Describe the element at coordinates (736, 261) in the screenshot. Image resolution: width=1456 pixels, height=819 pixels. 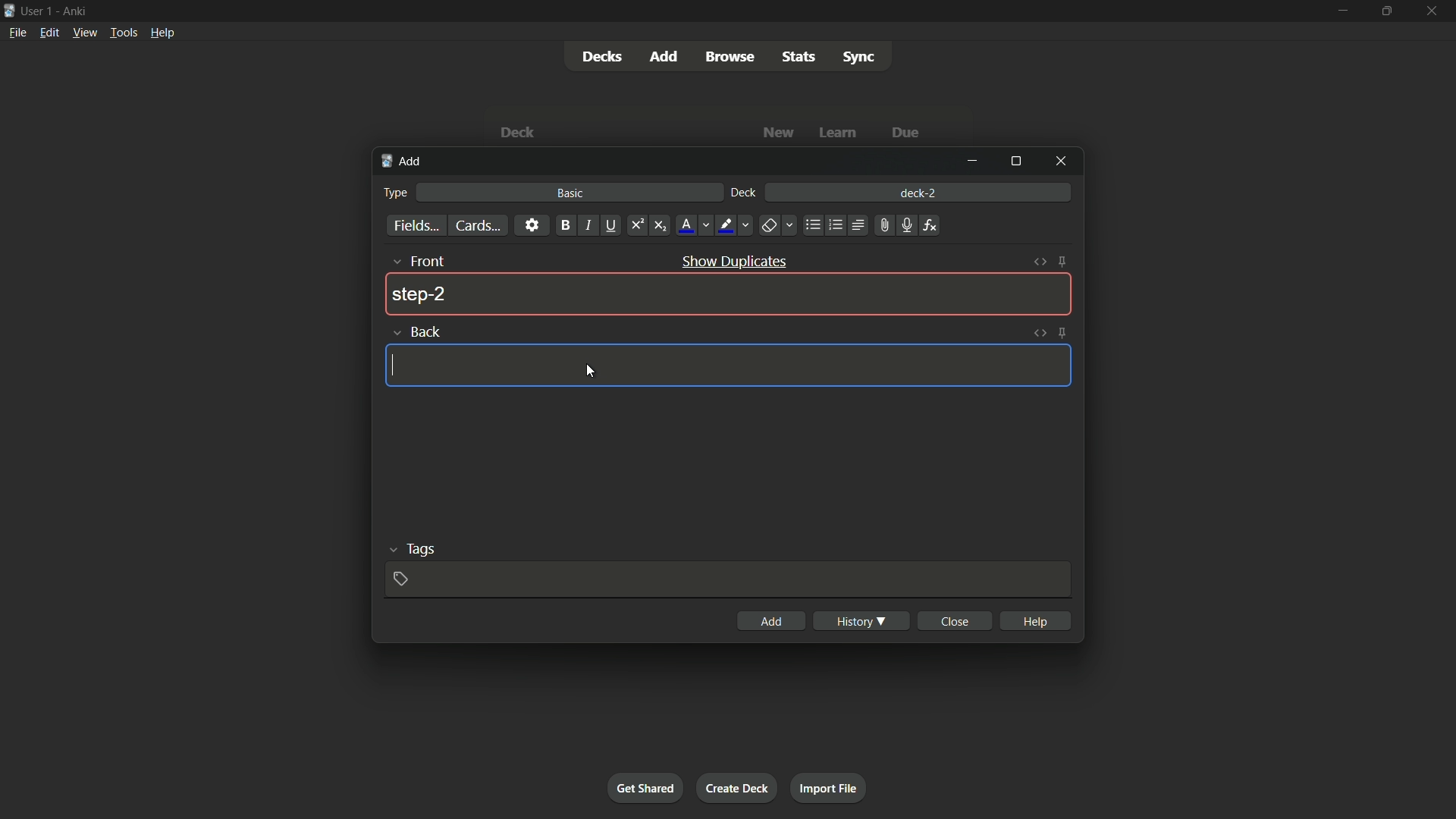
I see `show duplicates` at that location.